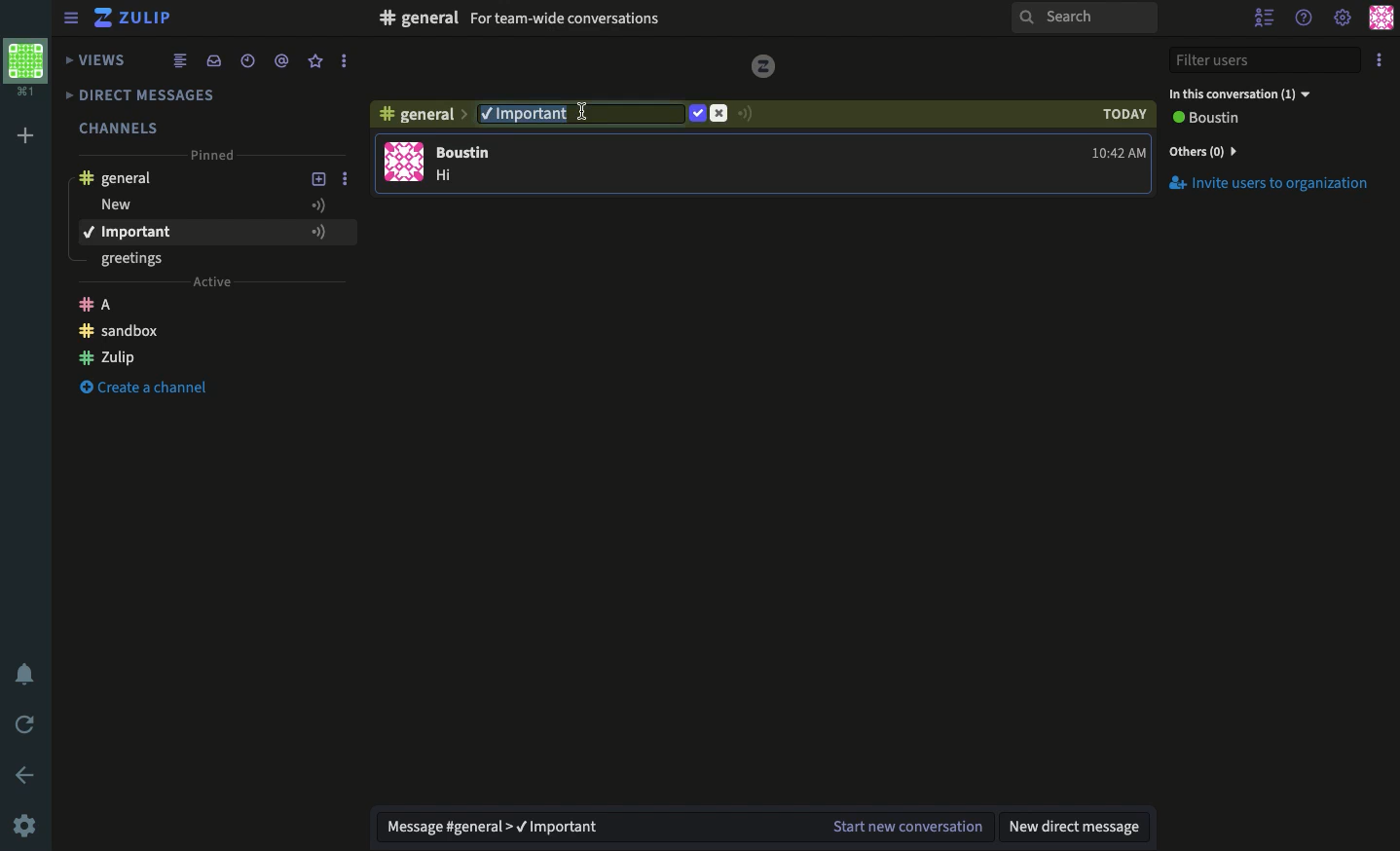 The height and width of the screenshot is (851, 1400). Describe the element at coordinates (1378, 60) in the screenshot. I see `Option ` at that location.